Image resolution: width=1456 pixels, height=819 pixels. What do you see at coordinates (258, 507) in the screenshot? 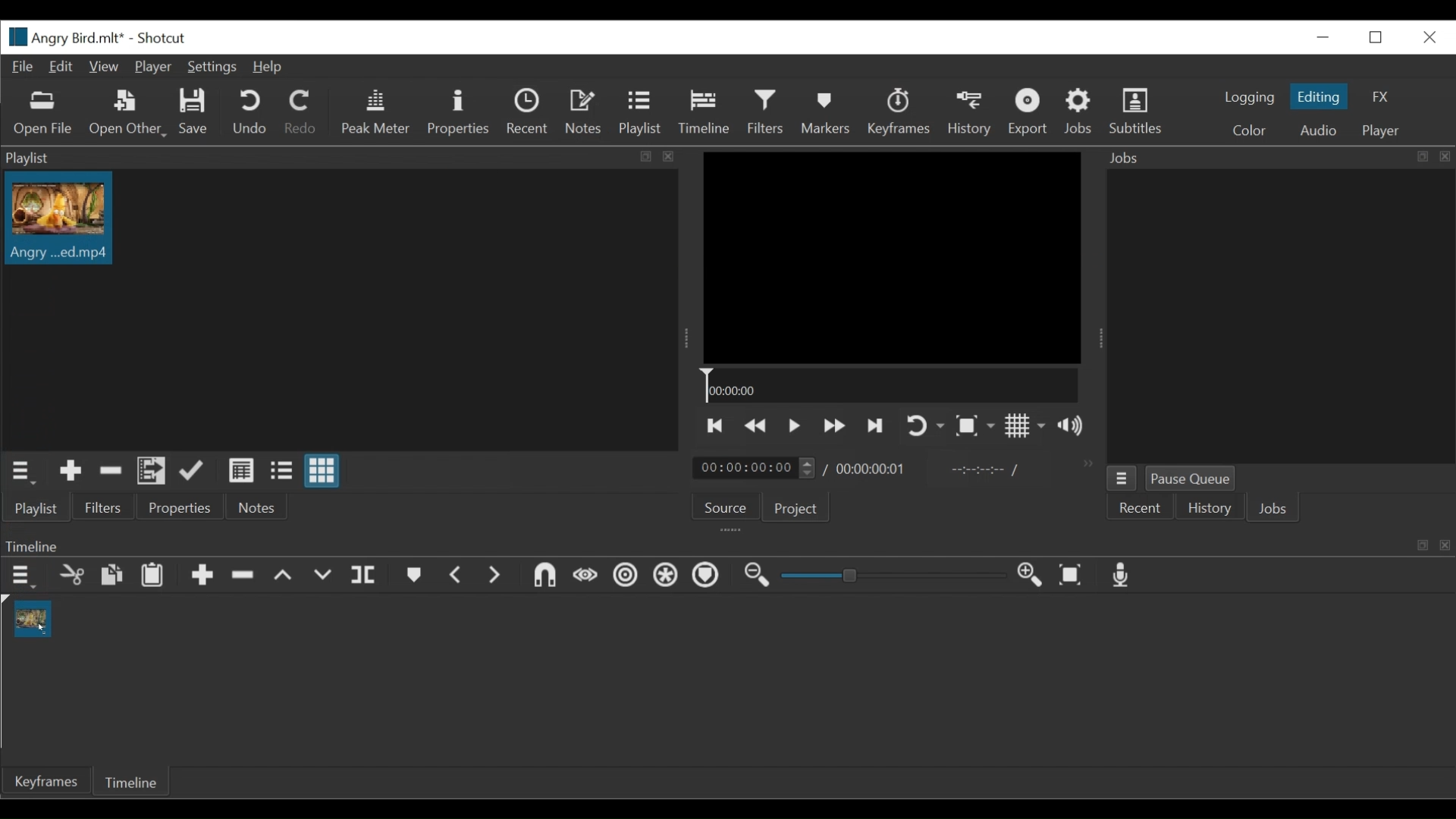
I see `Notes` at bounding box center [258, 507].